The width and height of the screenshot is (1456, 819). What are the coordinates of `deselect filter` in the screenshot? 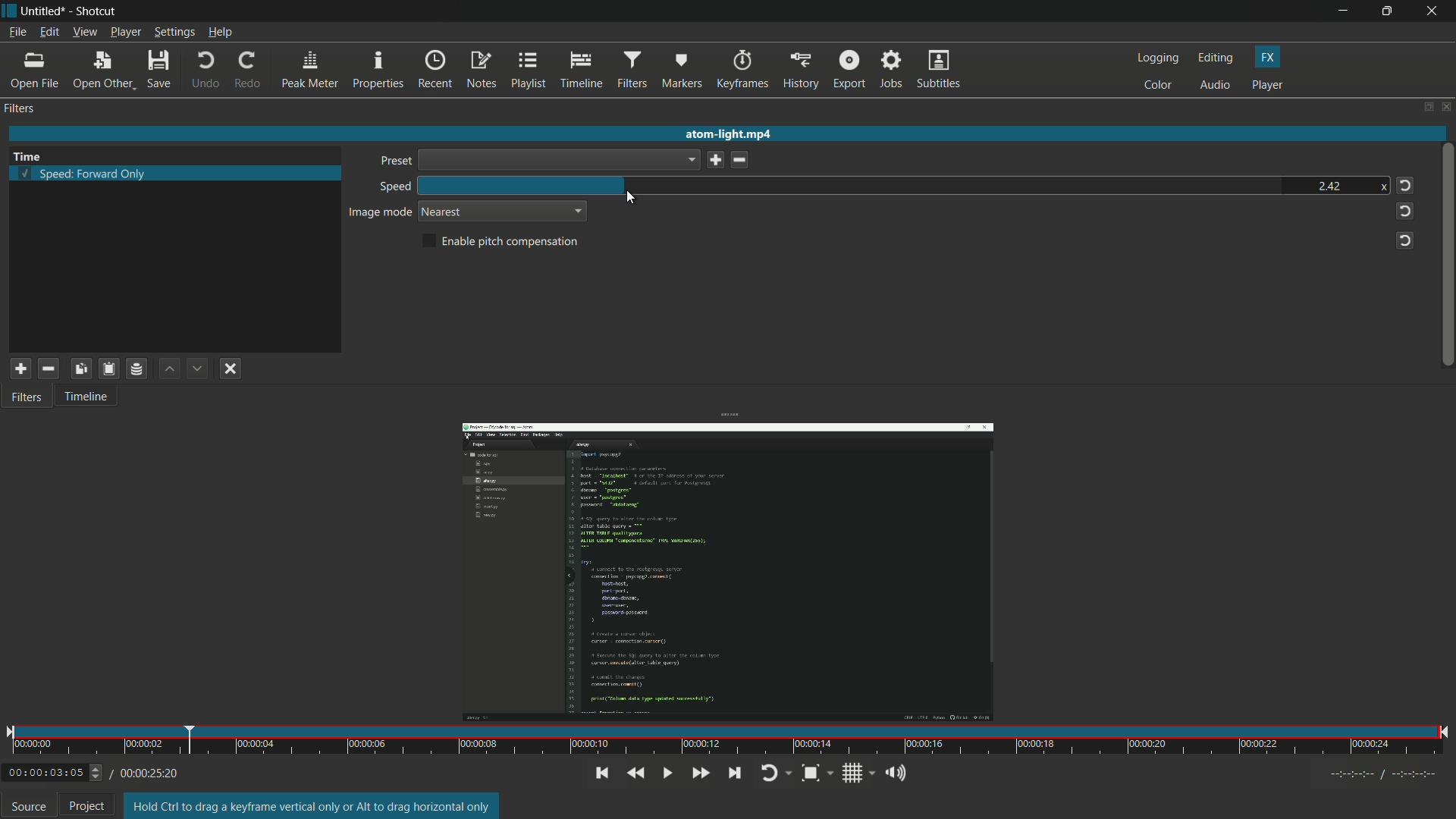 It's located at (231, 370).